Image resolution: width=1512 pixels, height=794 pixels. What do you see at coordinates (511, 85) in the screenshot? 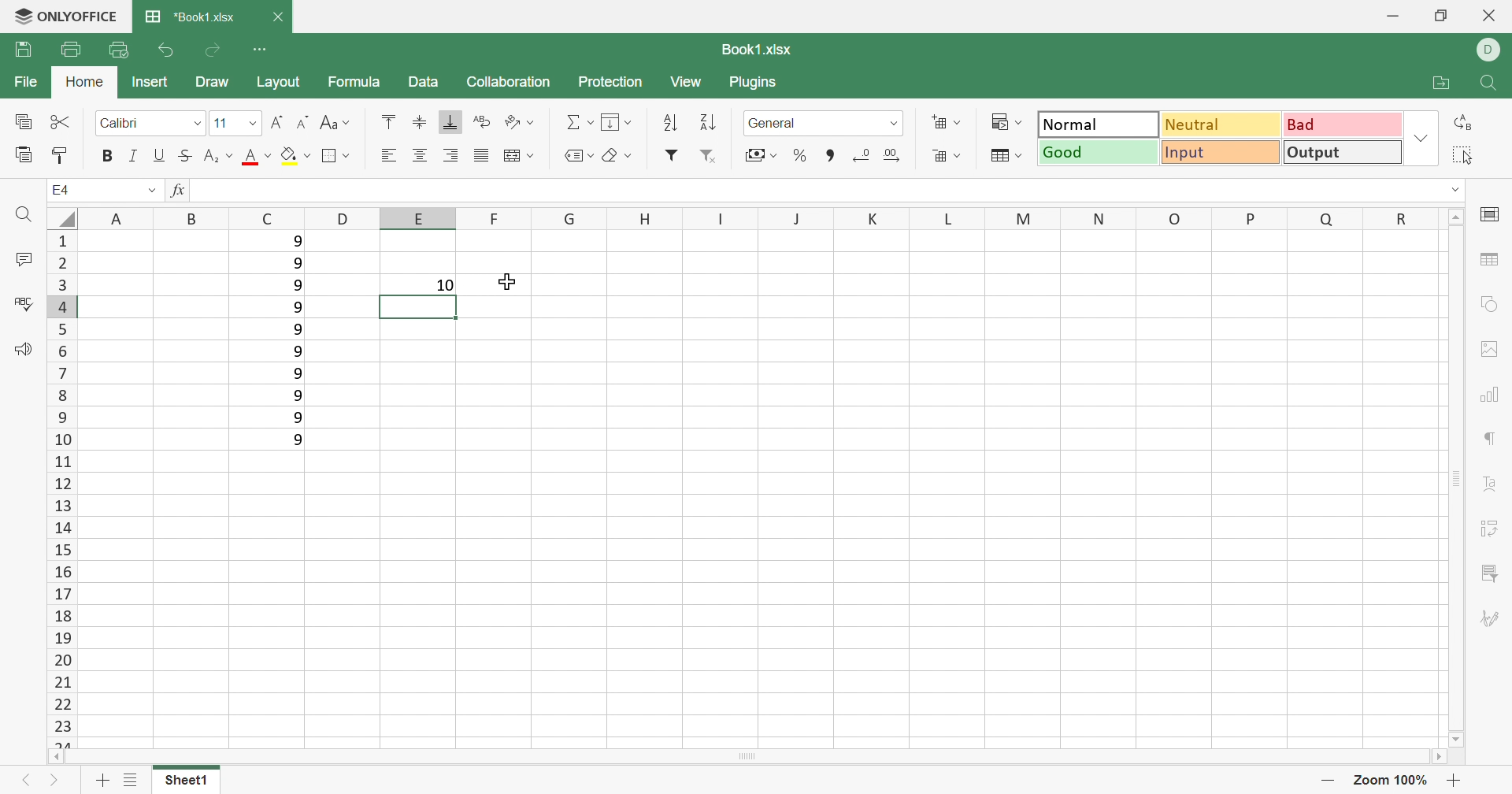
I see `Collaboration` at bounding box center [511, 85].